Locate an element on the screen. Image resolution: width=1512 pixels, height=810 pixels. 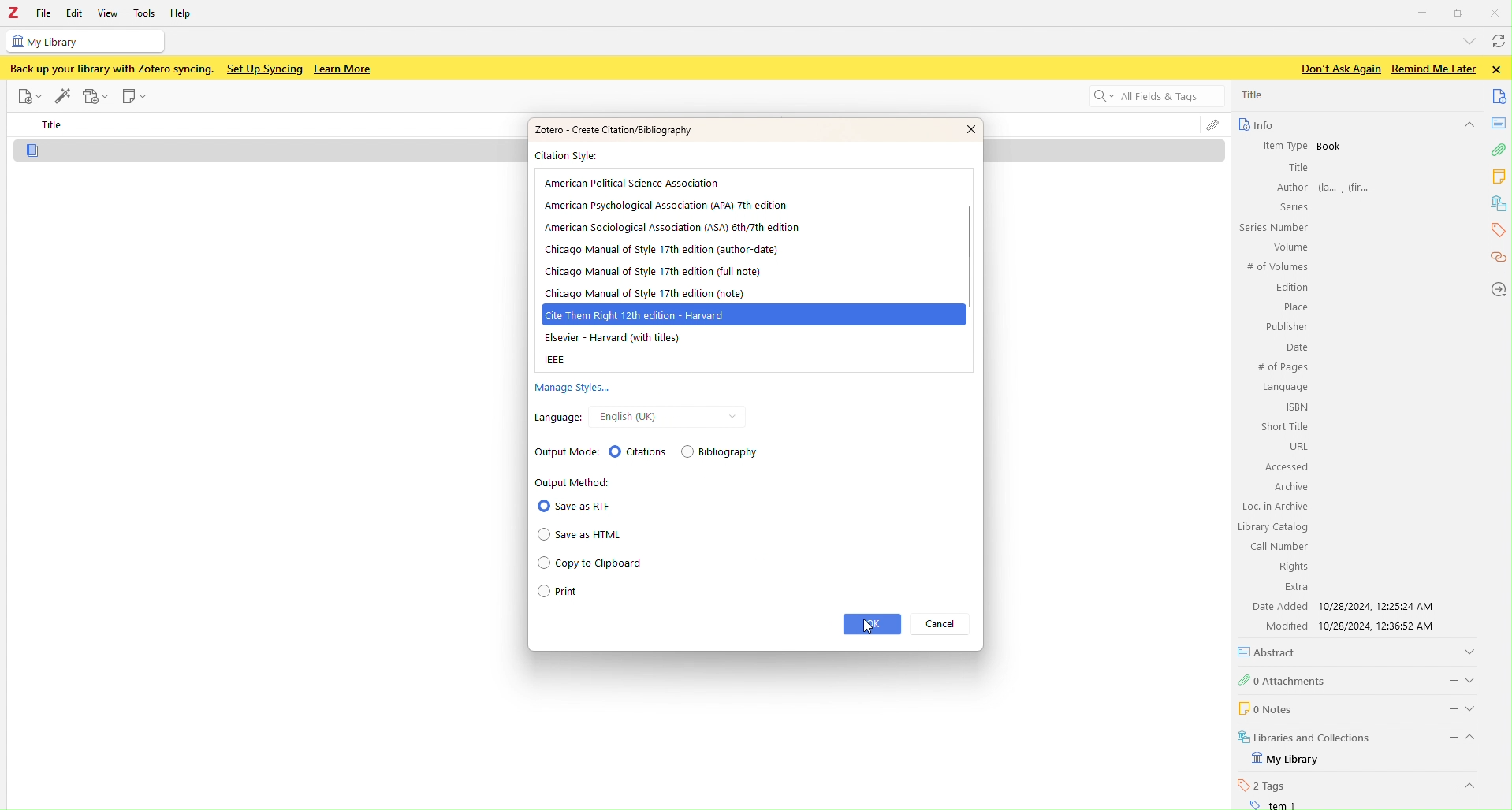
Output Mode: is located at coordinates (560, 451).